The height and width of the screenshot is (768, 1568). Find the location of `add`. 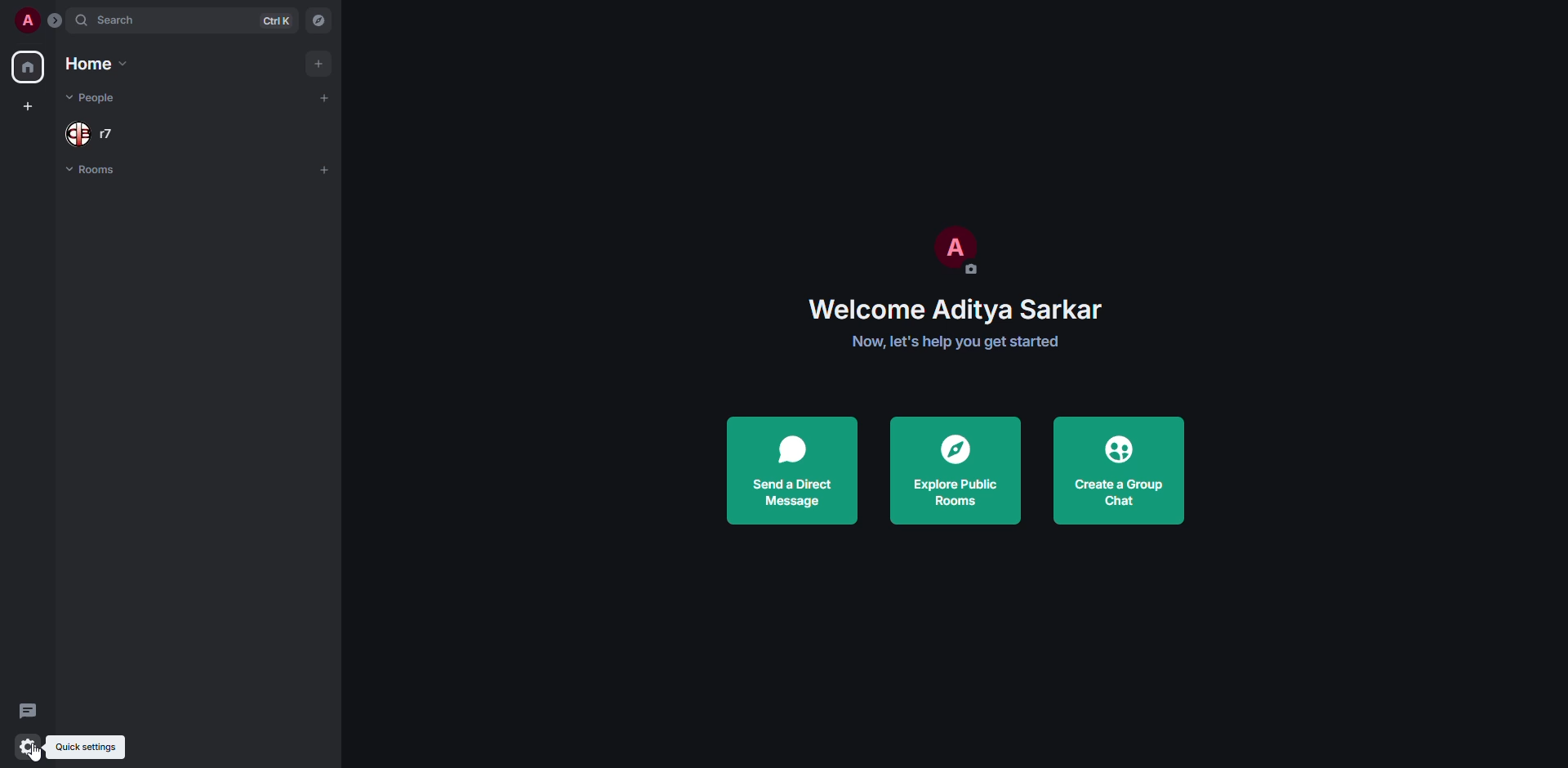

add is located at coordinates (318, 98).